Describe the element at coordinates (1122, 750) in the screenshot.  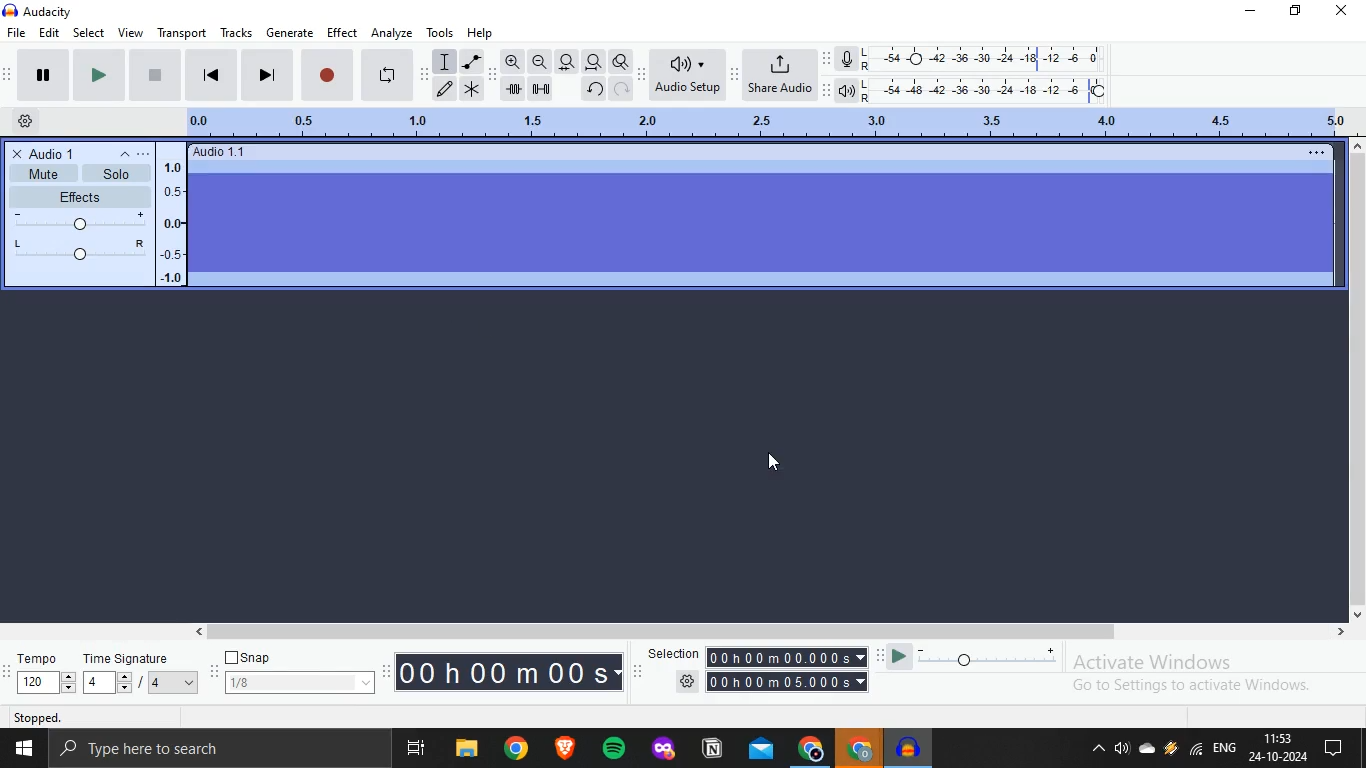
I see `Sound` at that location.